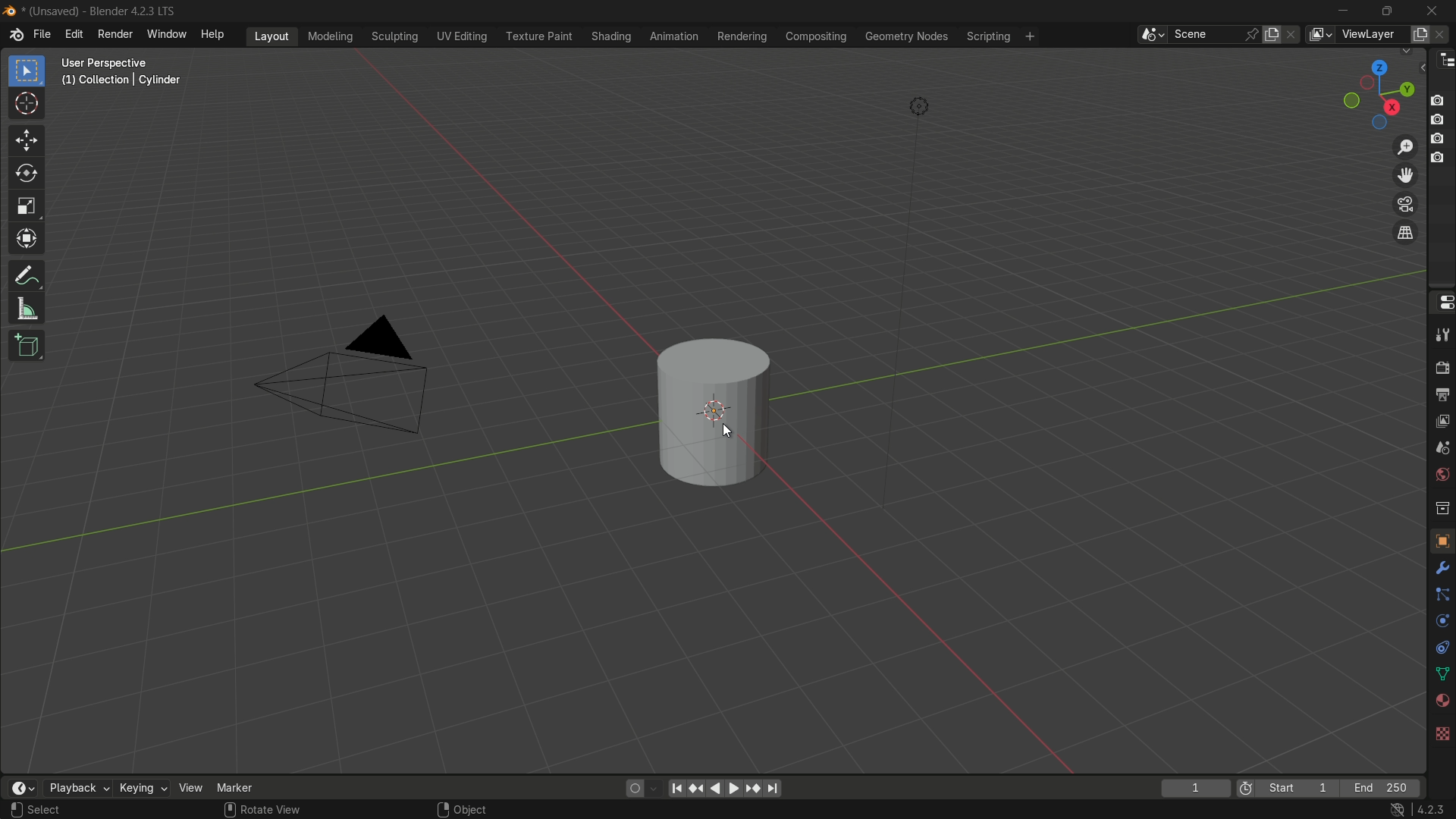 The width and height of the screenshot is (1456, 819). Describe the element at coordinates (907, 37) in the screenshot. I see `geometry nodes` at that location.